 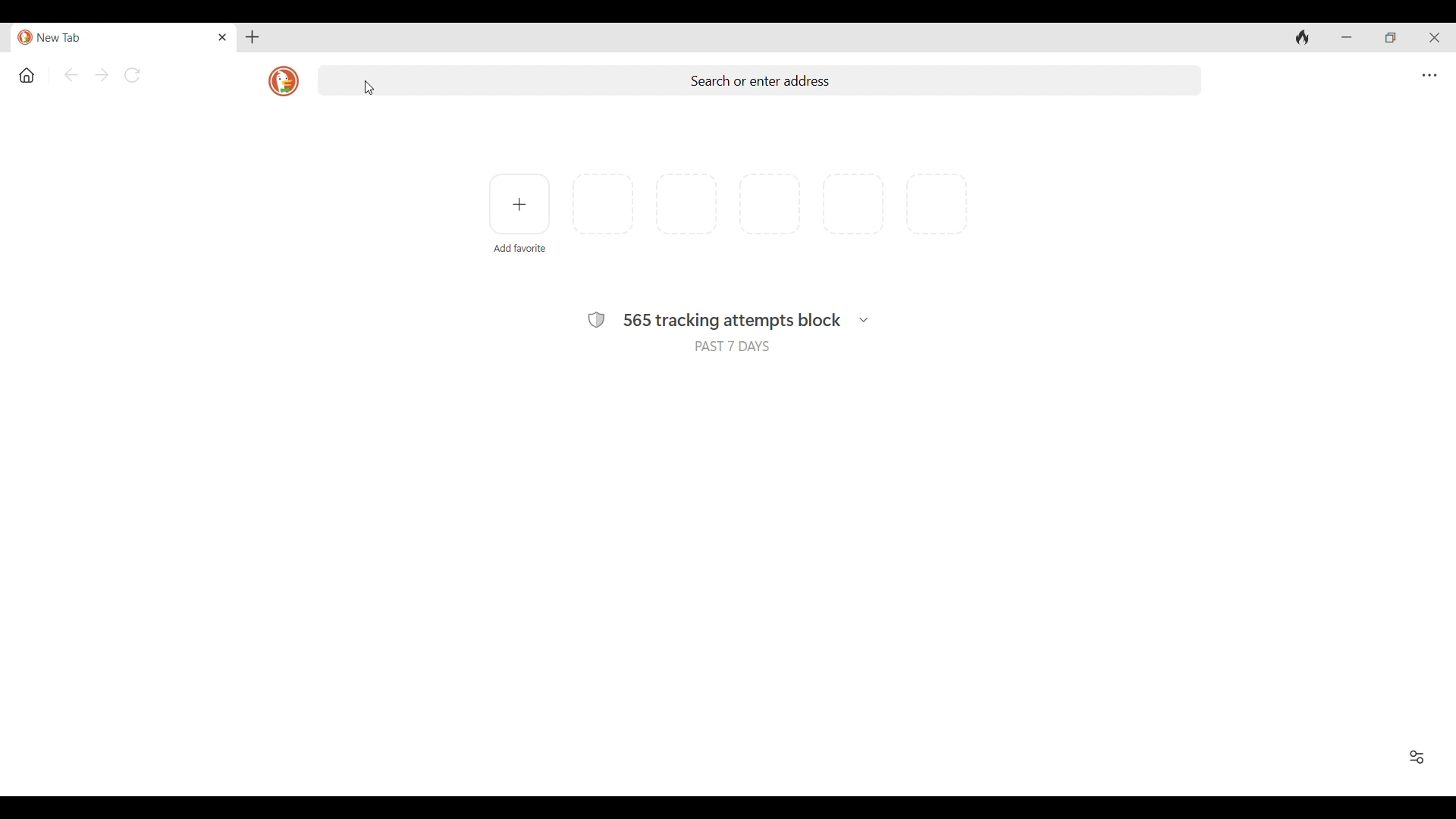 What do you see at coordinates (770, 204) in the screenshot?
I see `Indicates space for more favorites` at bounding box center [770, 204].